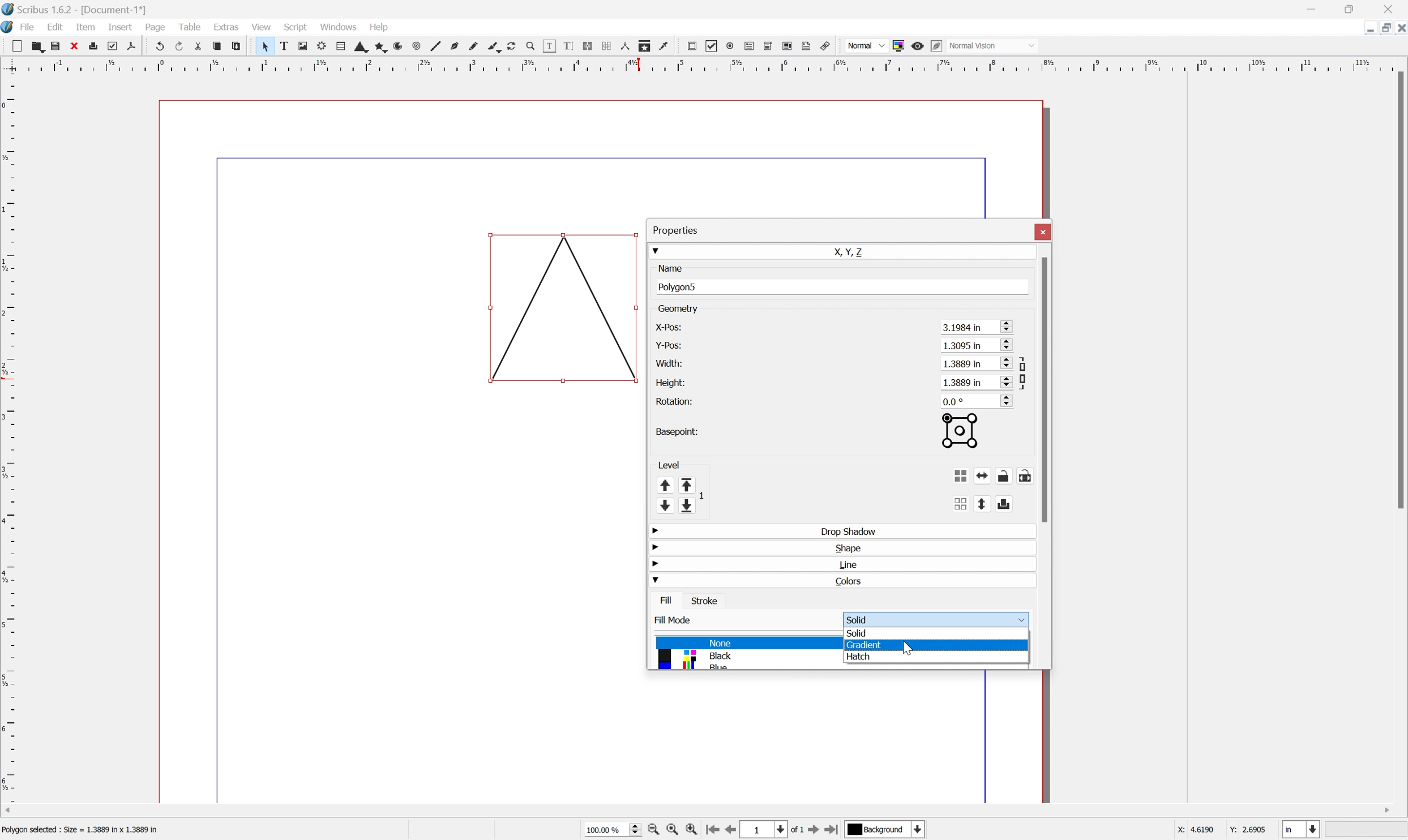 This screenshot has width=1408, height=840. Describe the element at coordinates (859, 251) in the screenshot. I see `X, Y, Z` at that location.